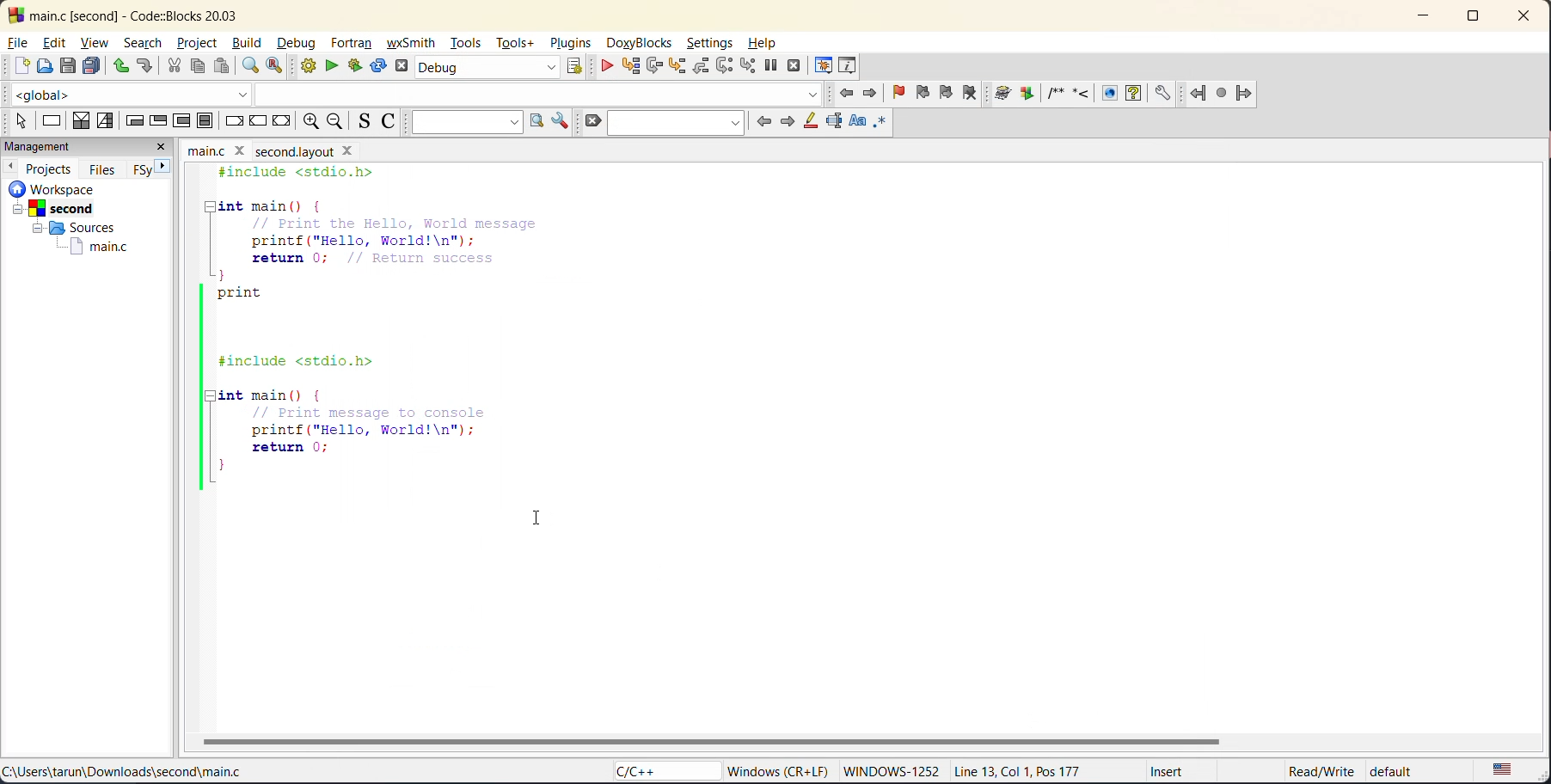 This screenshot has width=1551, height=784. What do you see at coordinates (218, 149) in the screenshot?
I see `file name` at bounding box center [218, 149].